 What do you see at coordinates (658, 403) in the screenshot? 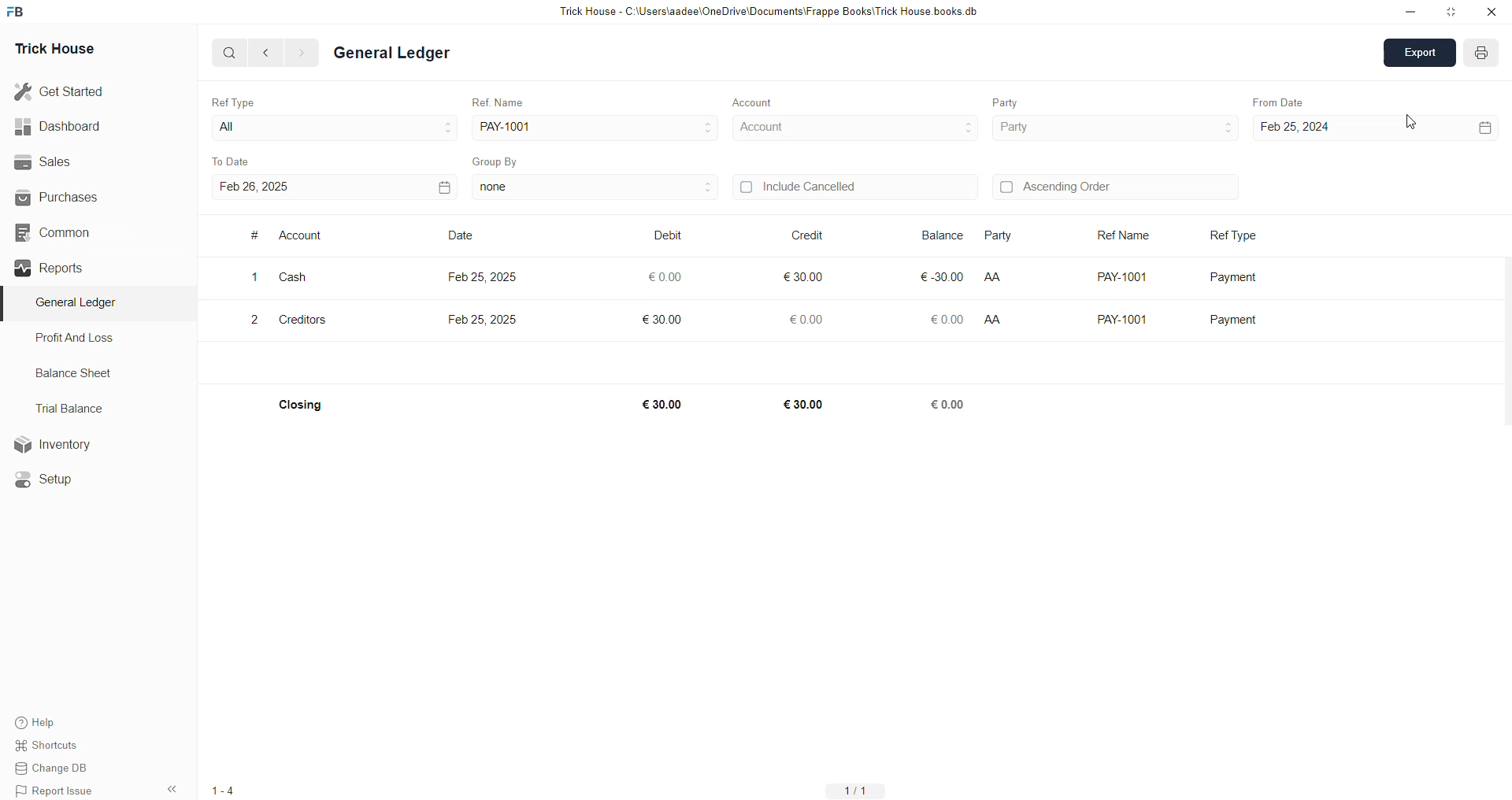
I see `€30.00` at bounding box center [658, 403].